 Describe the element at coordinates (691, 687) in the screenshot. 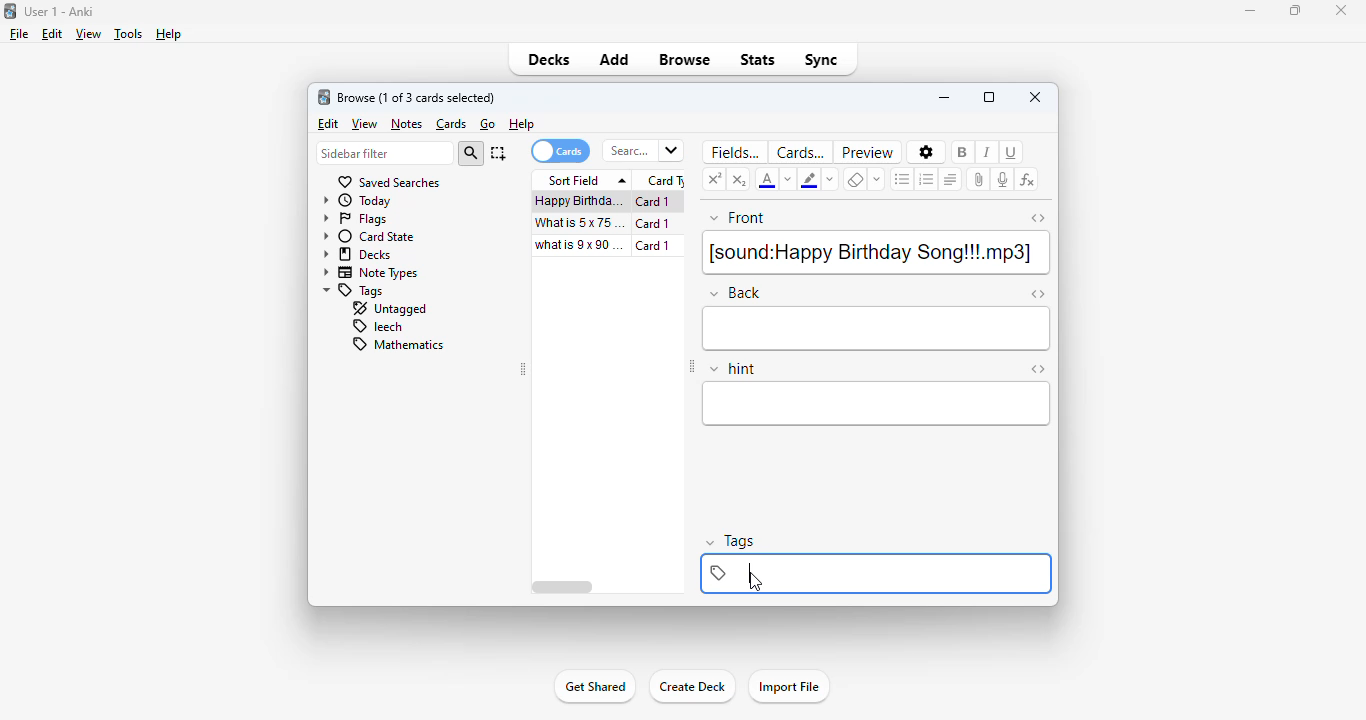

I see `create deck` at that location.